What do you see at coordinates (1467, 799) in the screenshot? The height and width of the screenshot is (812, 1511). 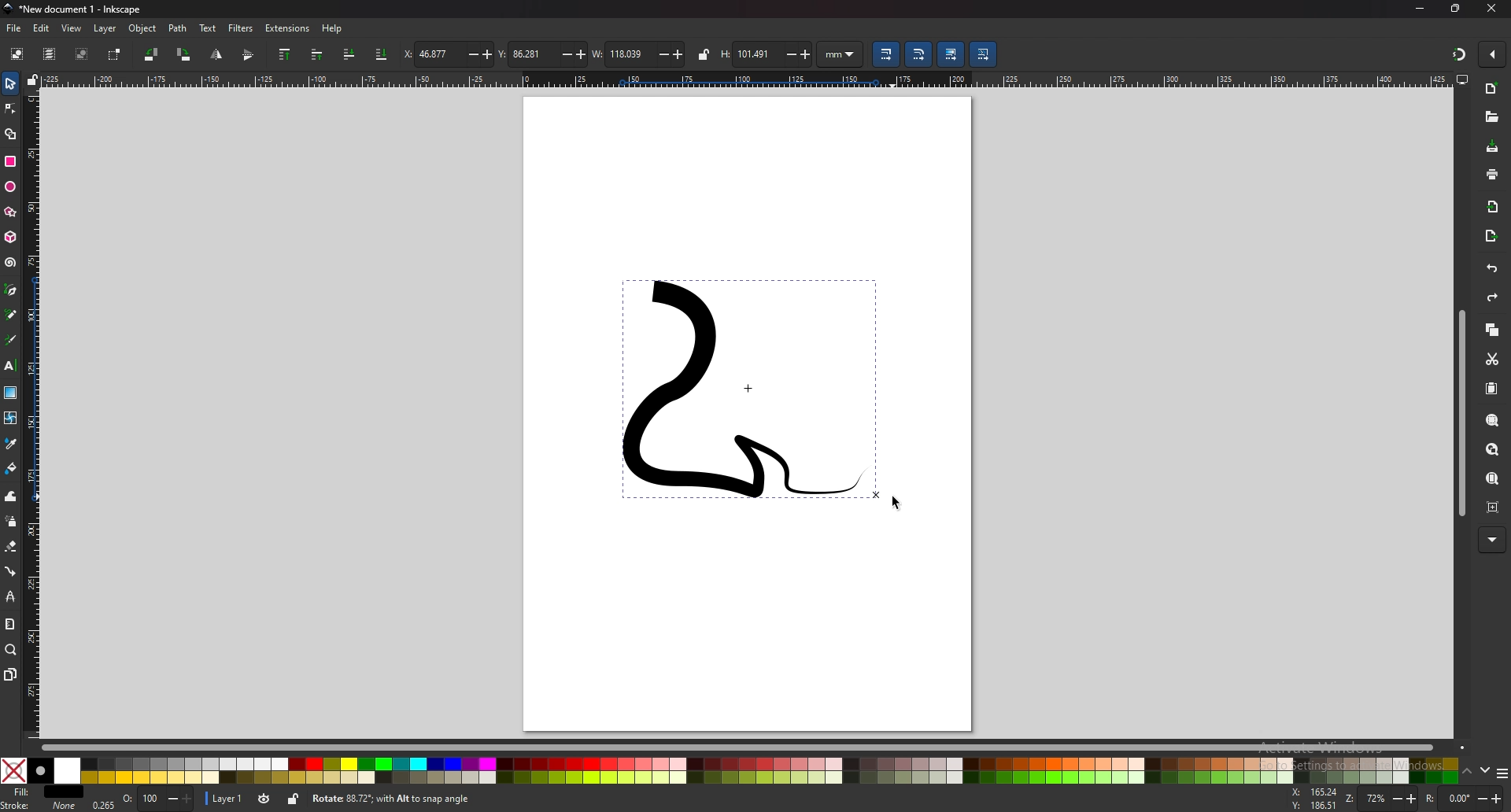 I see `ROTATION` at bounding box center [1467, 799].